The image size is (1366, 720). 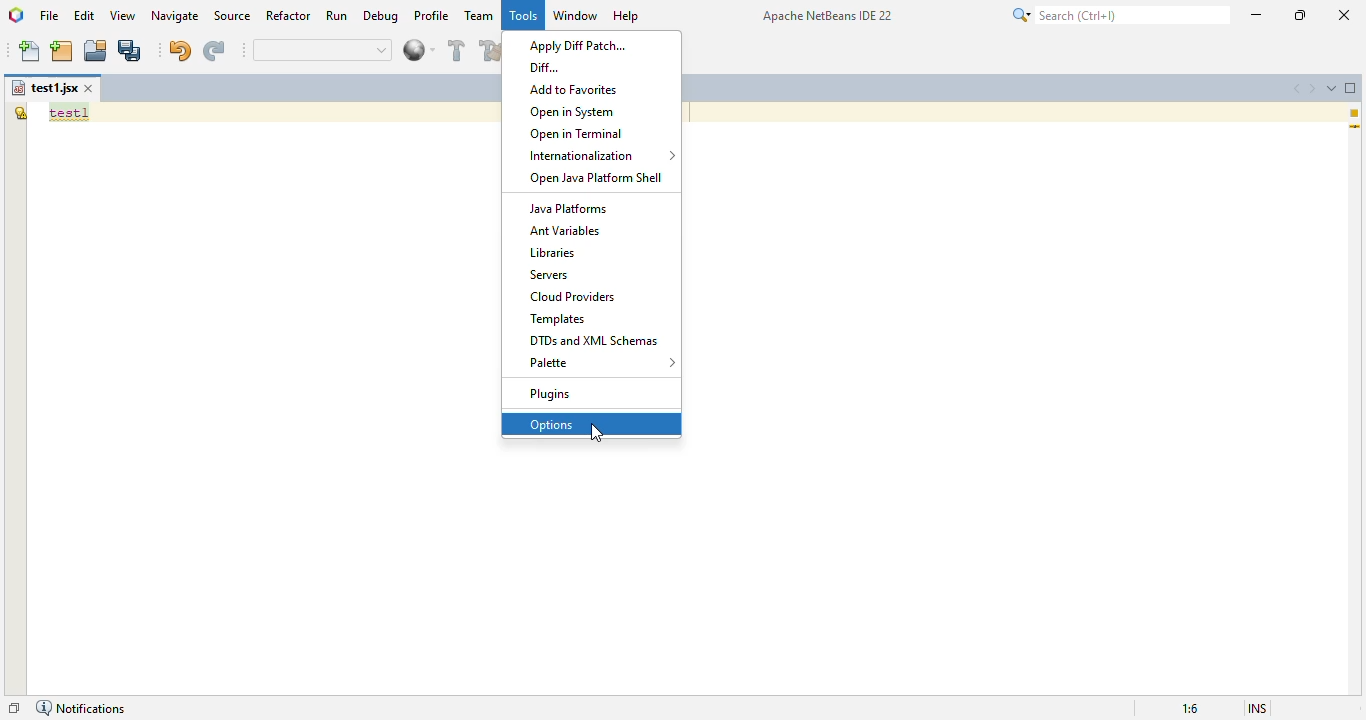 I want to click on file, so click(x=49, y=15).